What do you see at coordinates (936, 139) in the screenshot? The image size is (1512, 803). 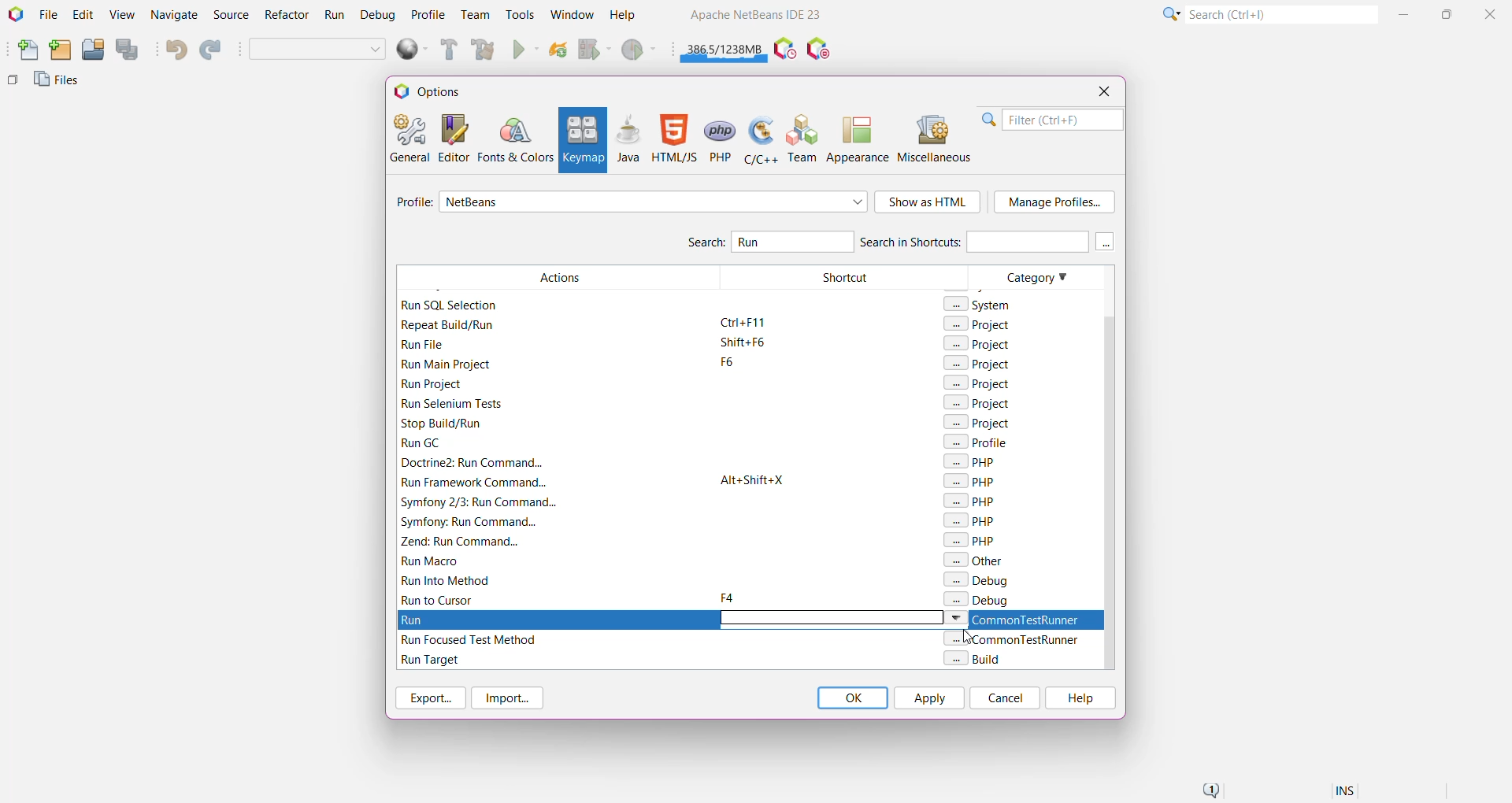 I see `Miscellaneous` at bounding box center [936, 139].